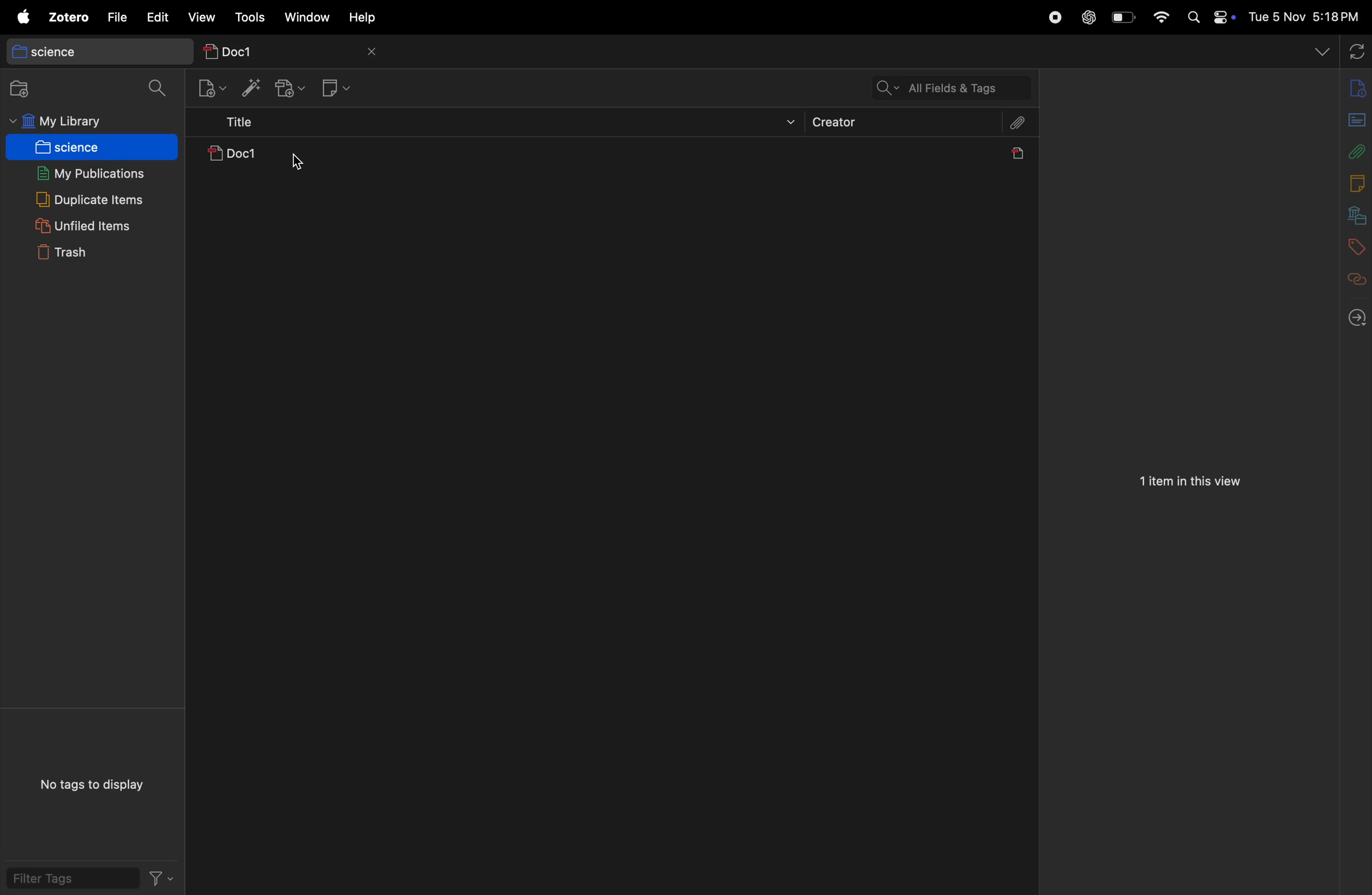 This screenshot has height=895, width=1372. I want to click on Tue 5 Nov 5:18 PM(time and date), so click(1305, 17).